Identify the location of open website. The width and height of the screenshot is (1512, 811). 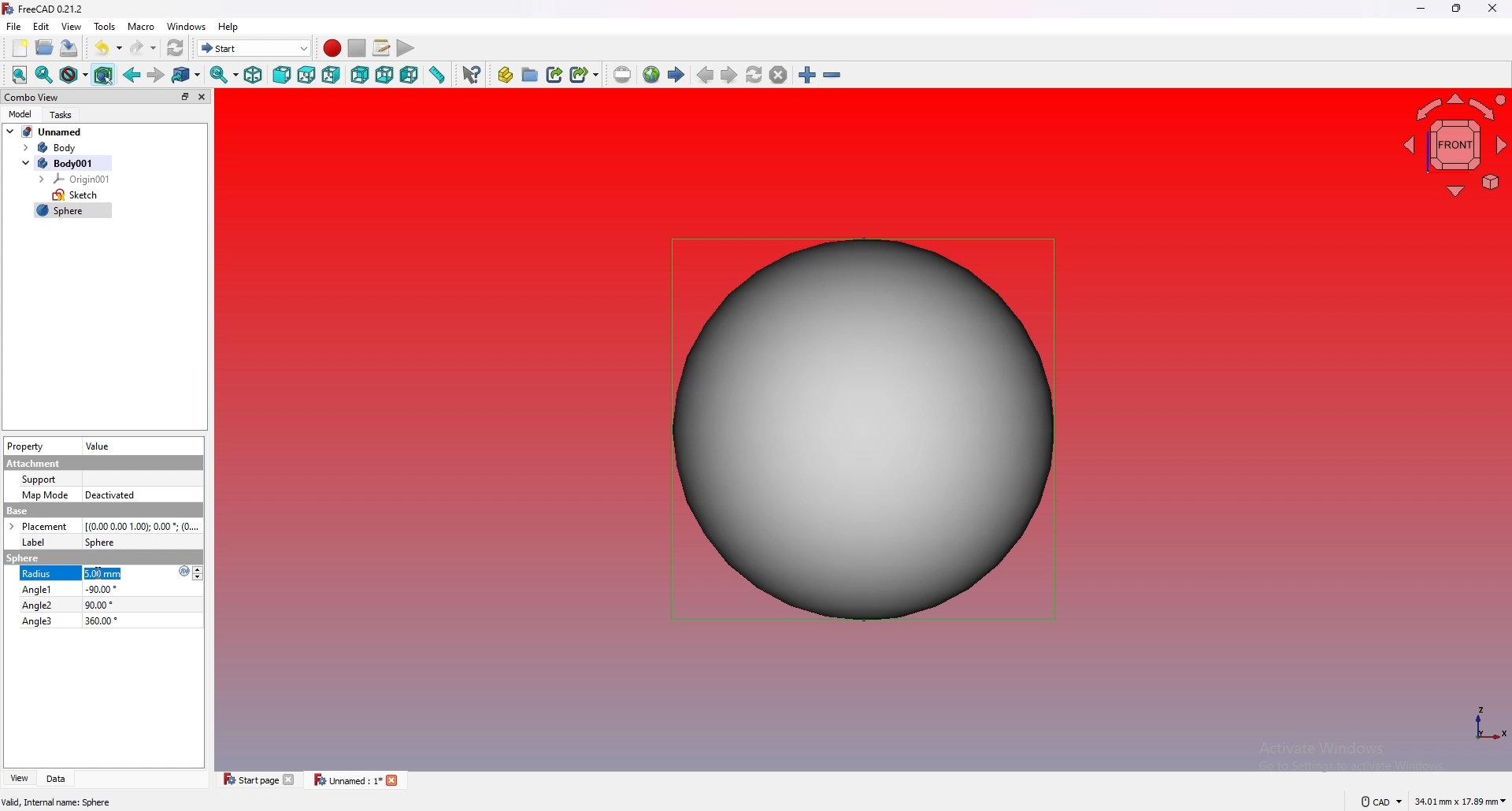
(651, 75).